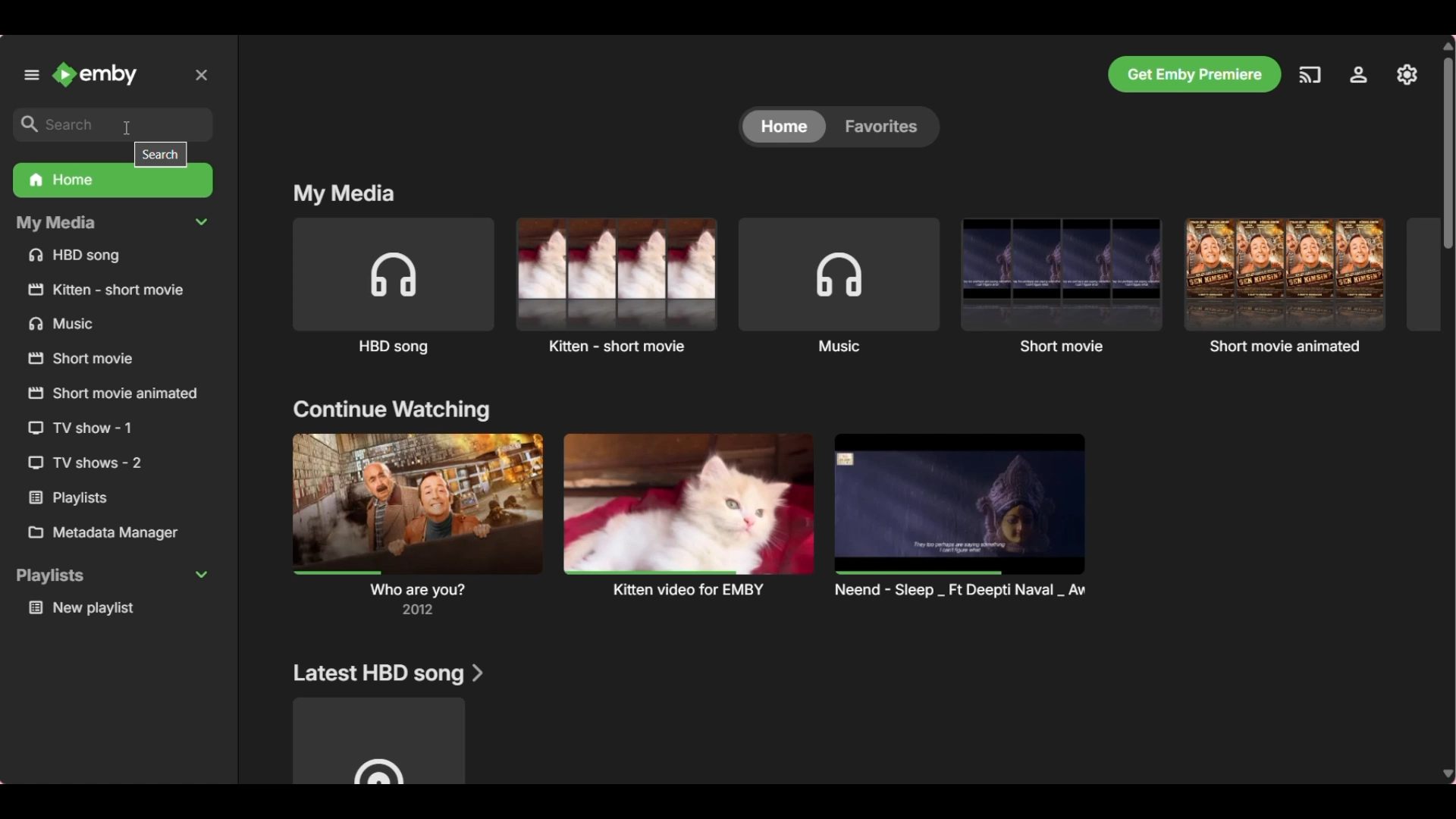 Image resolution: width=1456 pixels, height=819 pixels. Describe the element at coordinates (117, 609) in the screenshot. I see `Media under playlists` at that location.